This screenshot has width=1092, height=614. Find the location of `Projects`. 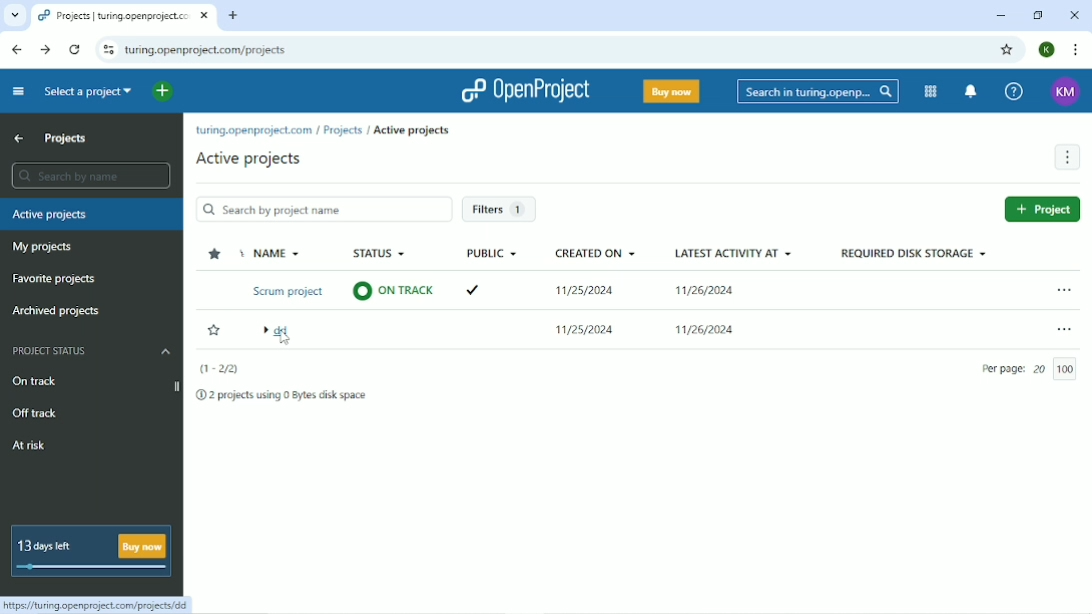

Projects is located at coordinates (342, 130).